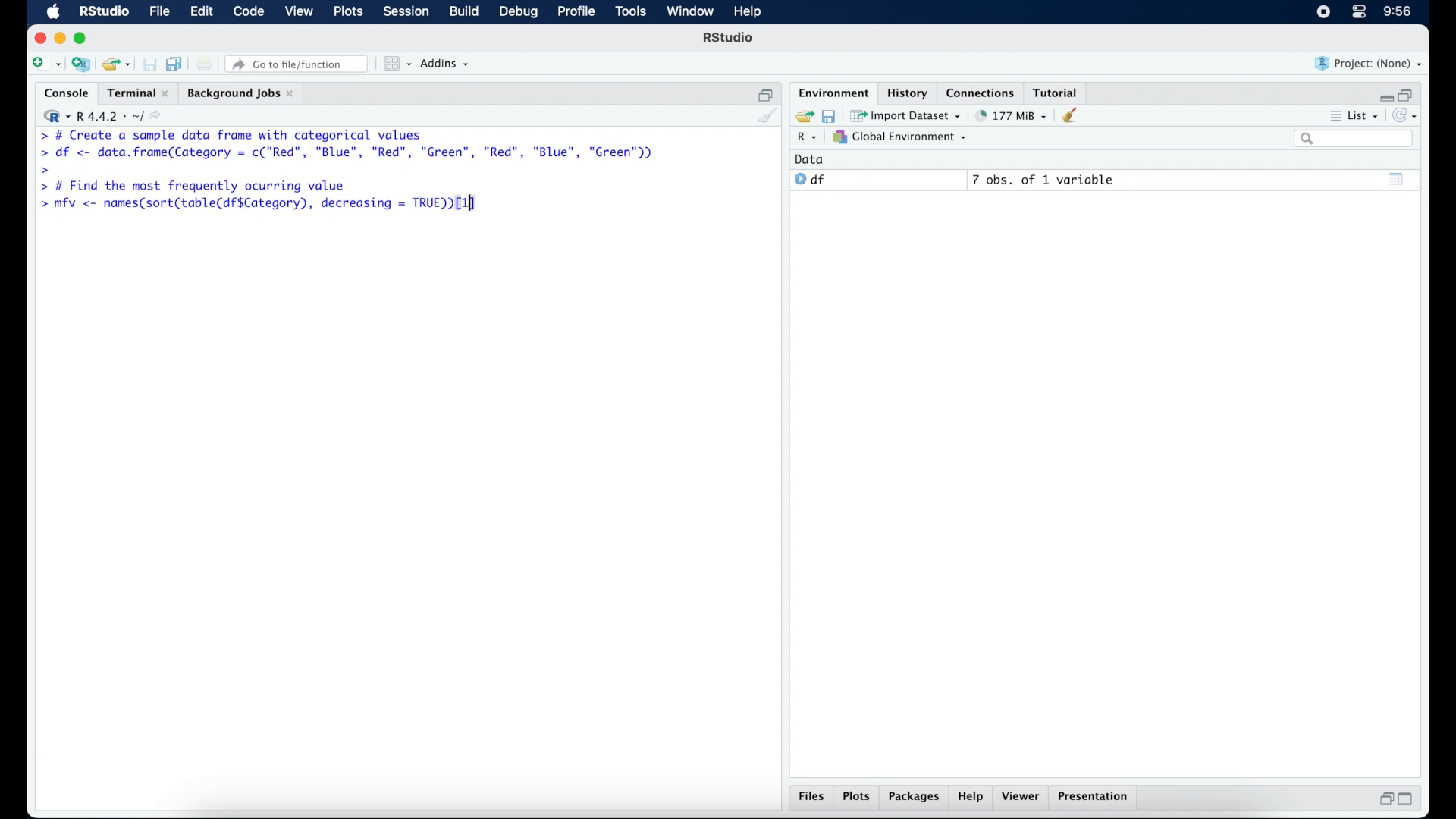  What do you see at coordinates (45, 63) in the screenshot?
I see `new file` at bounding box center [45, 63].